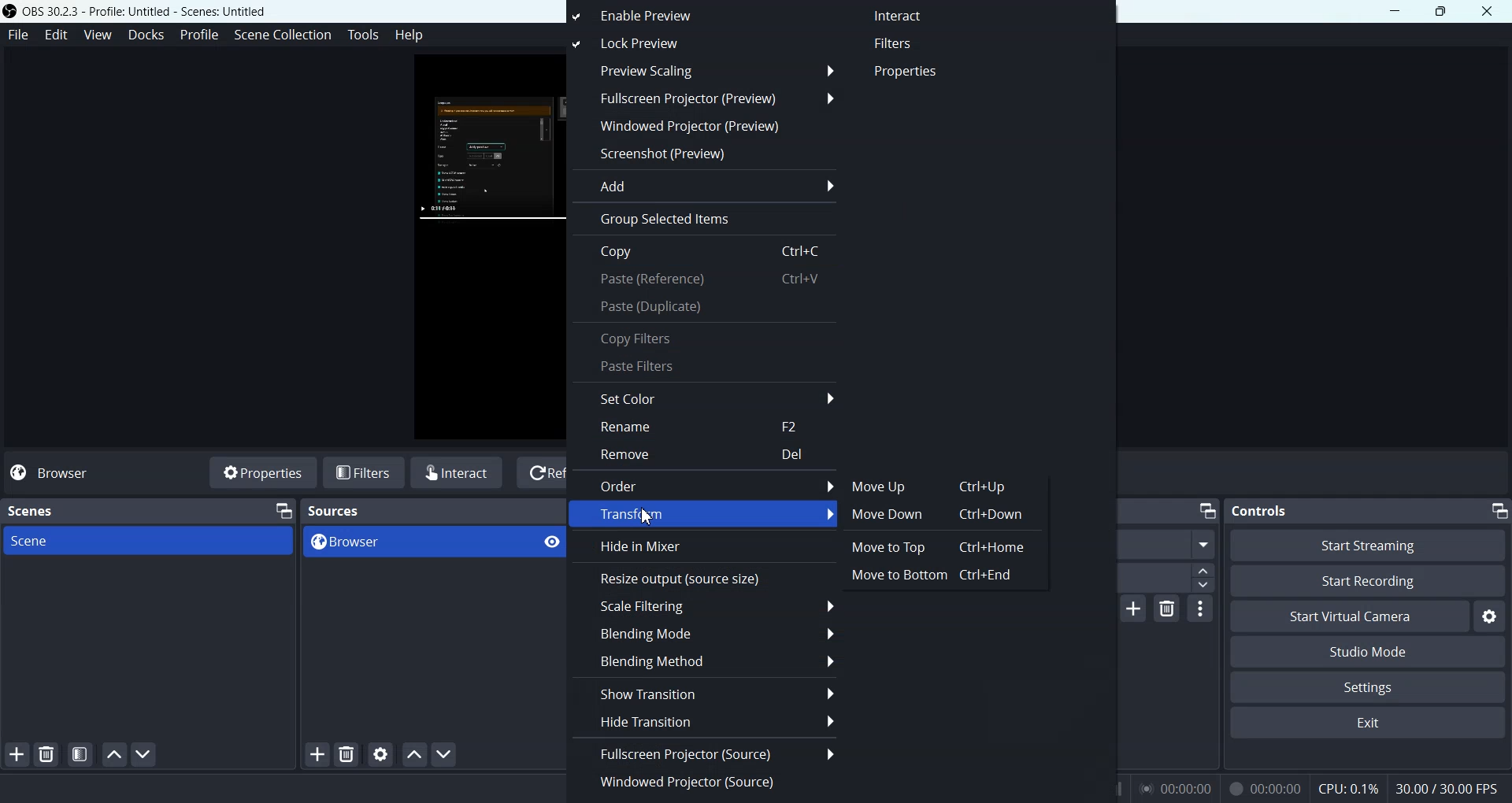  Describe the element at coordinates (702, 154) in the screenshot. I see `Screenshot (Preview)` at that location.